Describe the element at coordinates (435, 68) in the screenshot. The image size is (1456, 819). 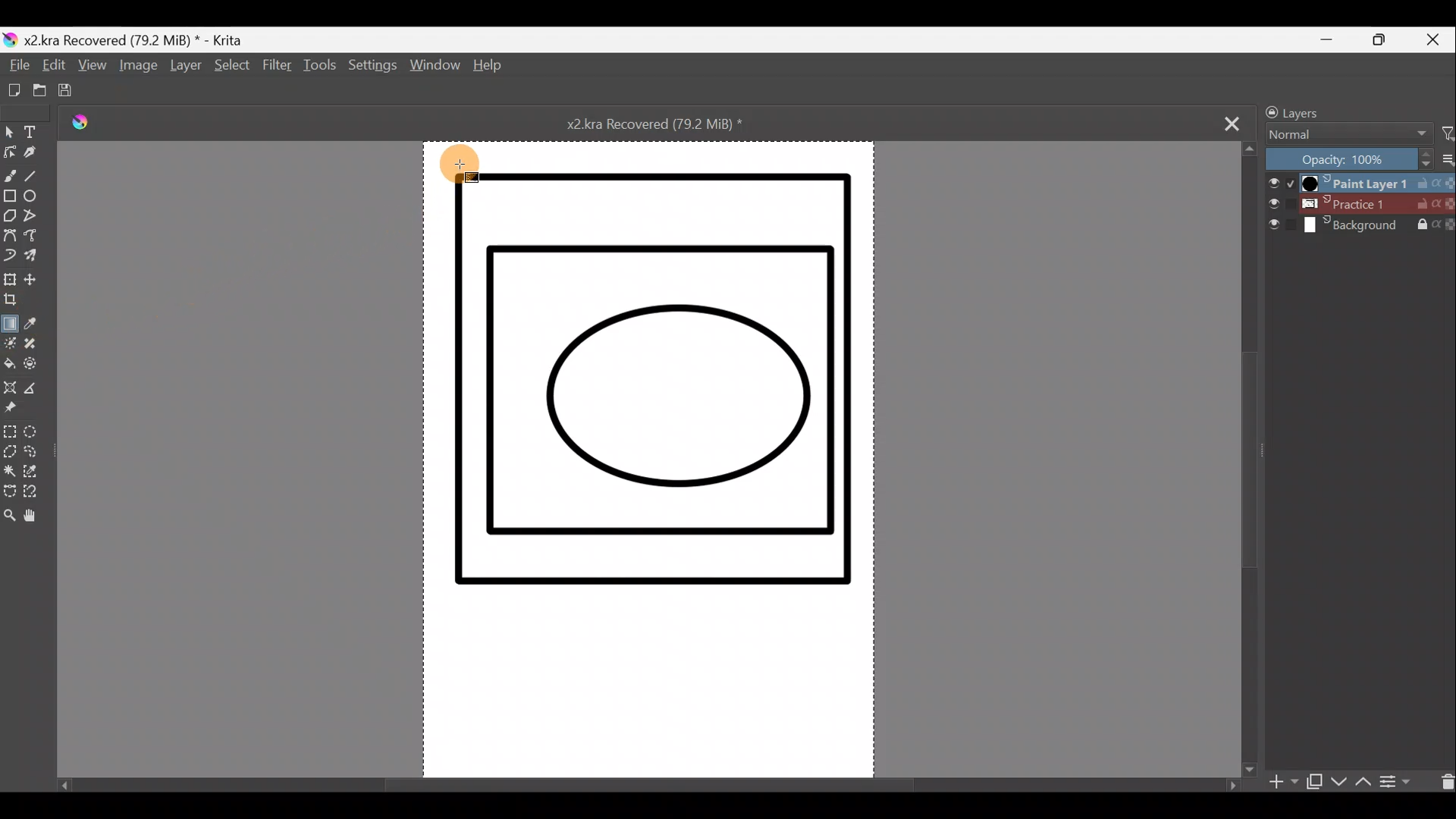
I see `Window` at that location.